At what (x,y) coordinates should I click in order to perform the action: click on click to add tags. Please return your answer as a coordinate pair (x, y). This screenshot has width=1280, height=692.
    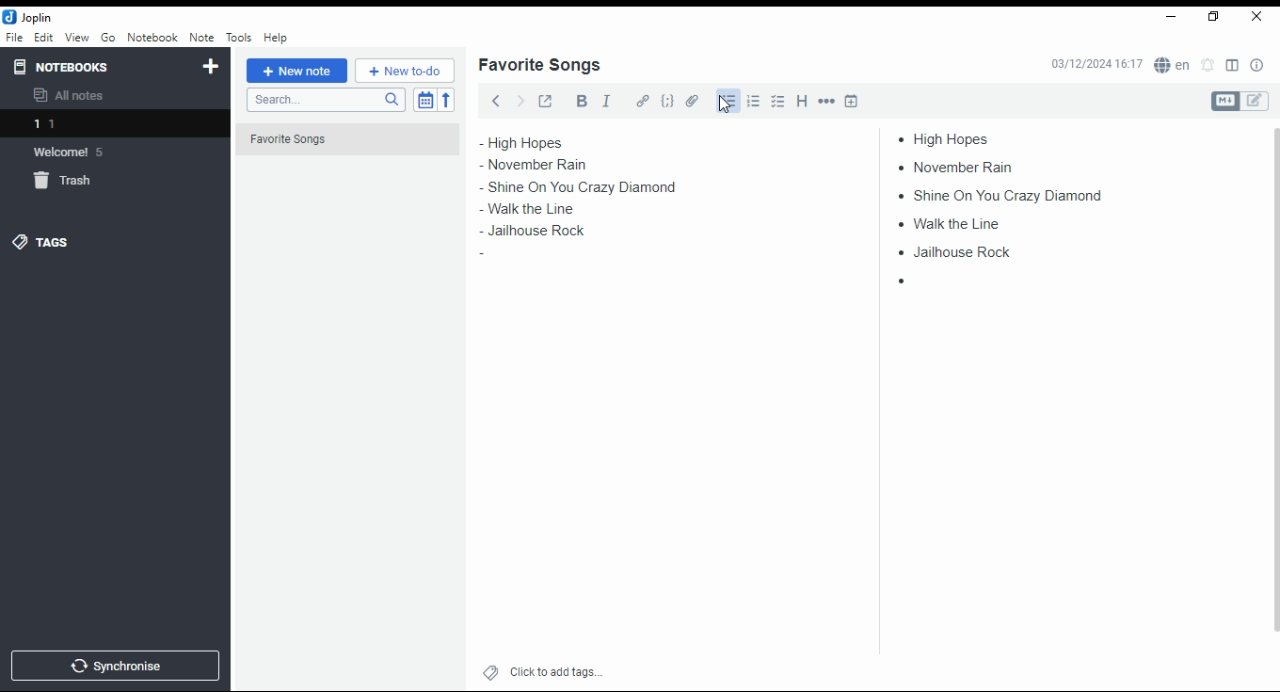
    Looking at the image, I should click on (556, 669).